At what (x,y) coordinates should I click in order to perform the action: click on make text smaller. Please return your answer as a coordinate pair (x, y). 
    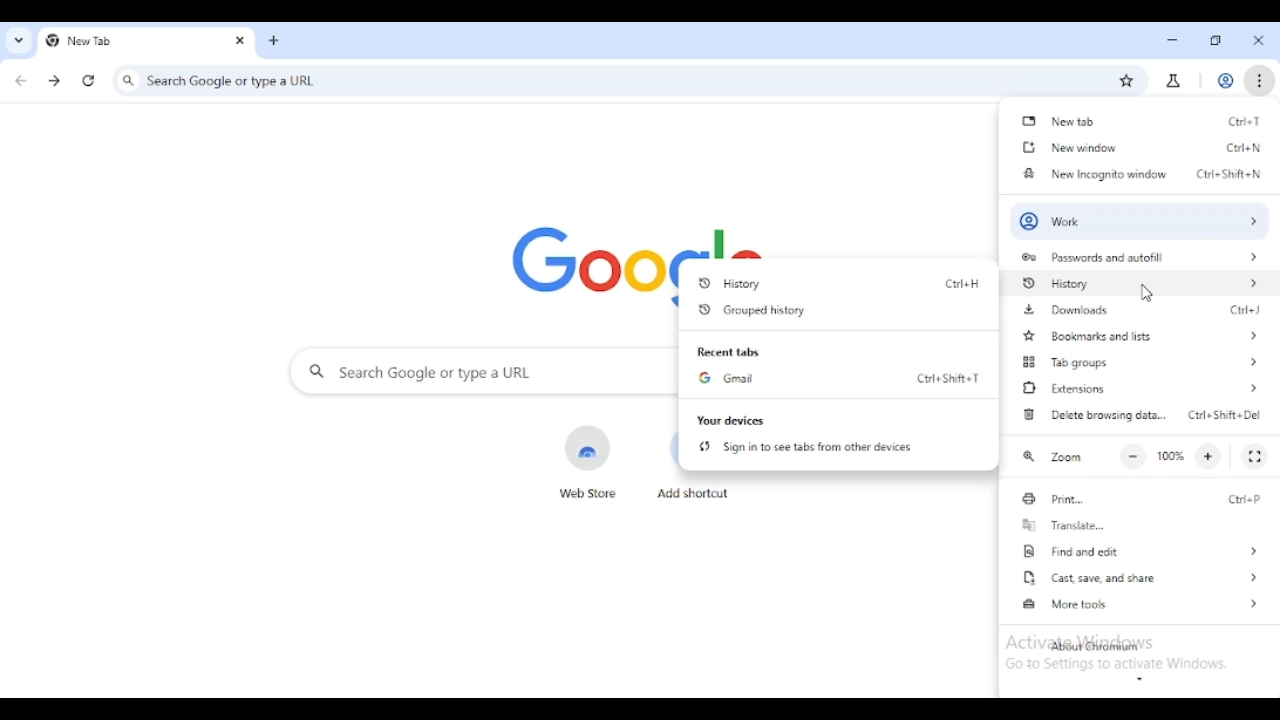
    Looking at the image, I should click on (1134, 456).